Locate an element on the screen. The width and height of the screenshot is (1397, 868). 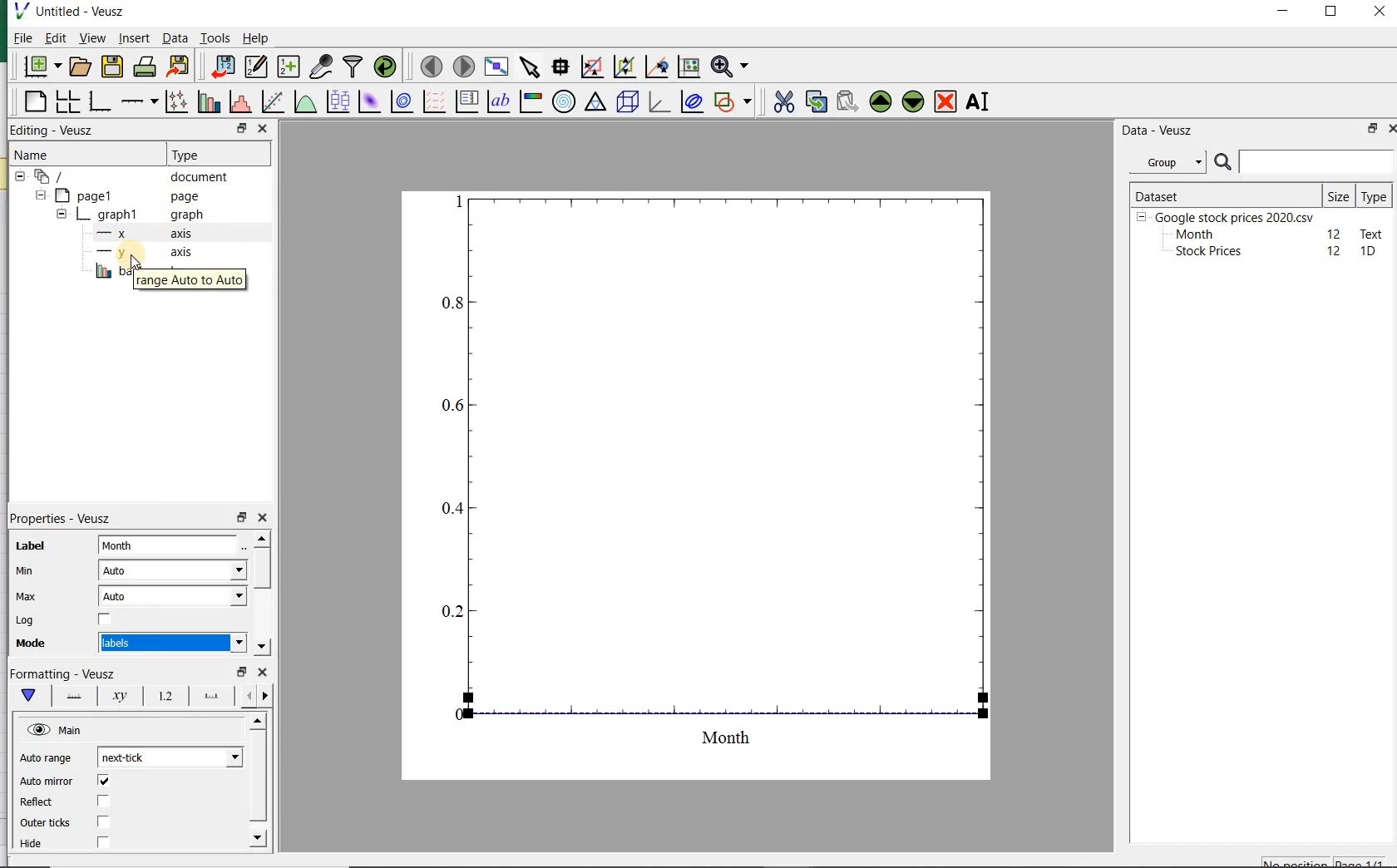
scrollbar is located at coordinates (256, 783).